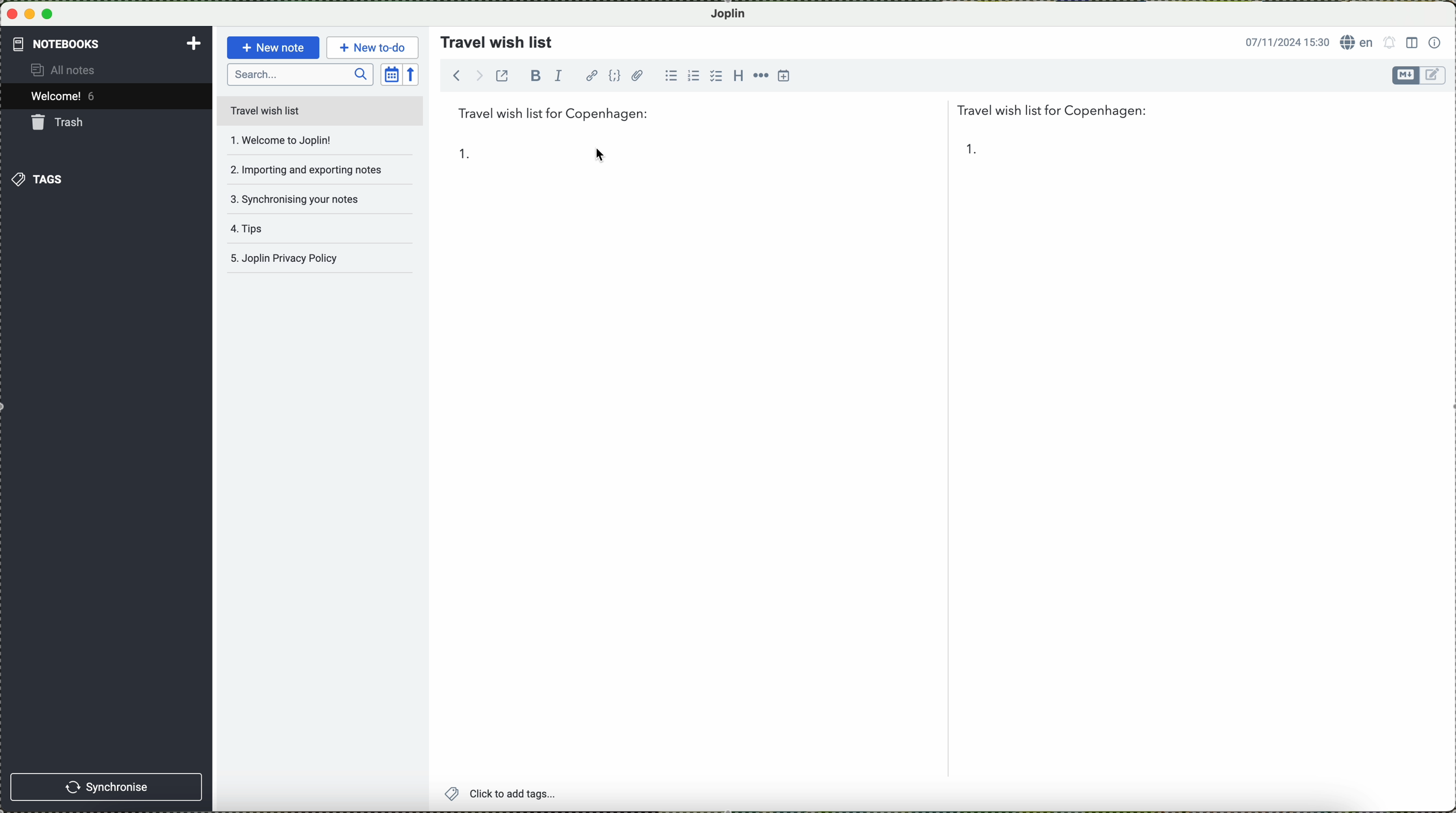  What do you see at coordinates (11, 15) in the screenshot?
I see `close` at bounding box center [11, 15].